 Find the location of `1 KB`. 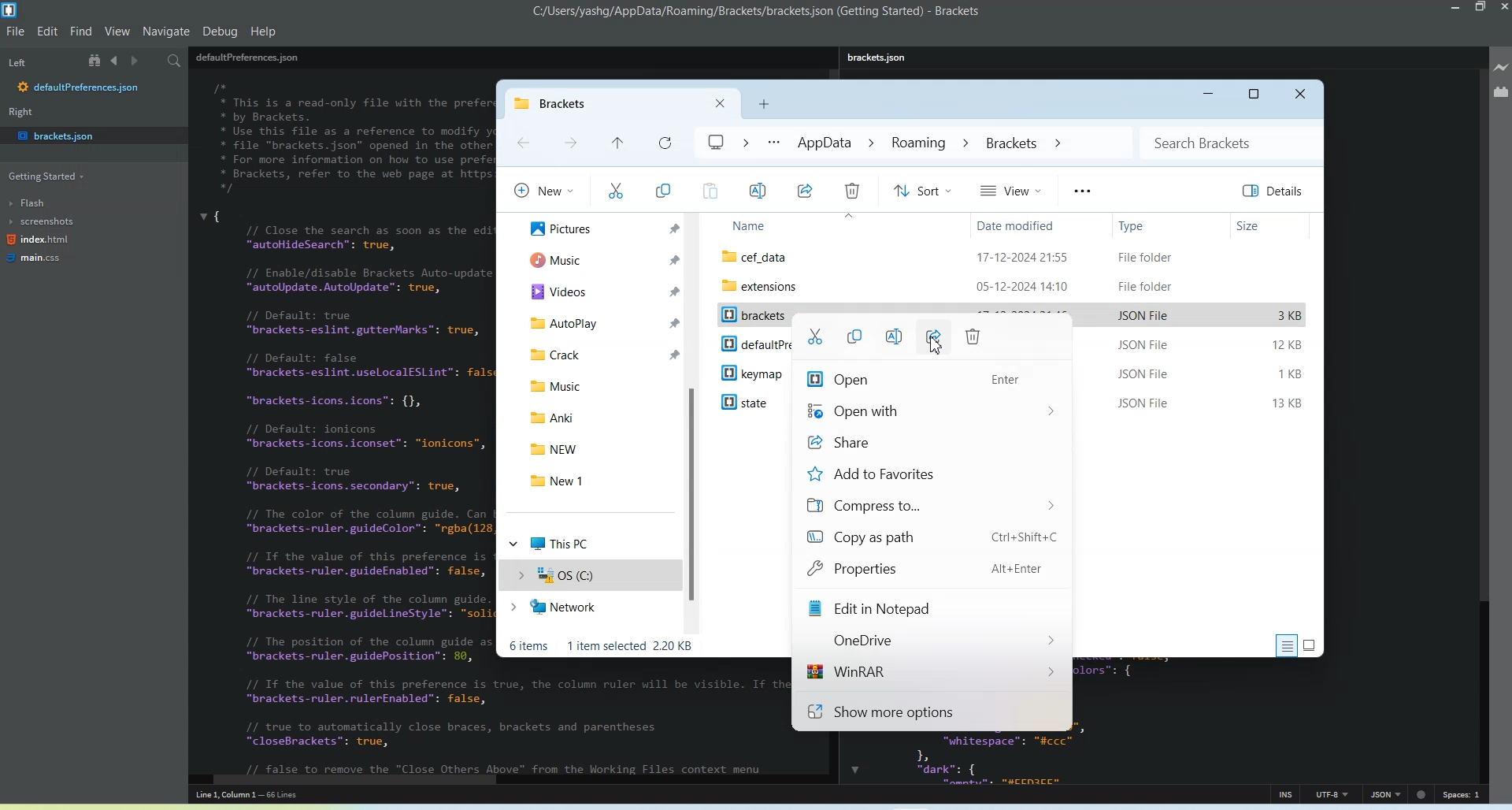

1 KB is located at coordinates (1290, 376).